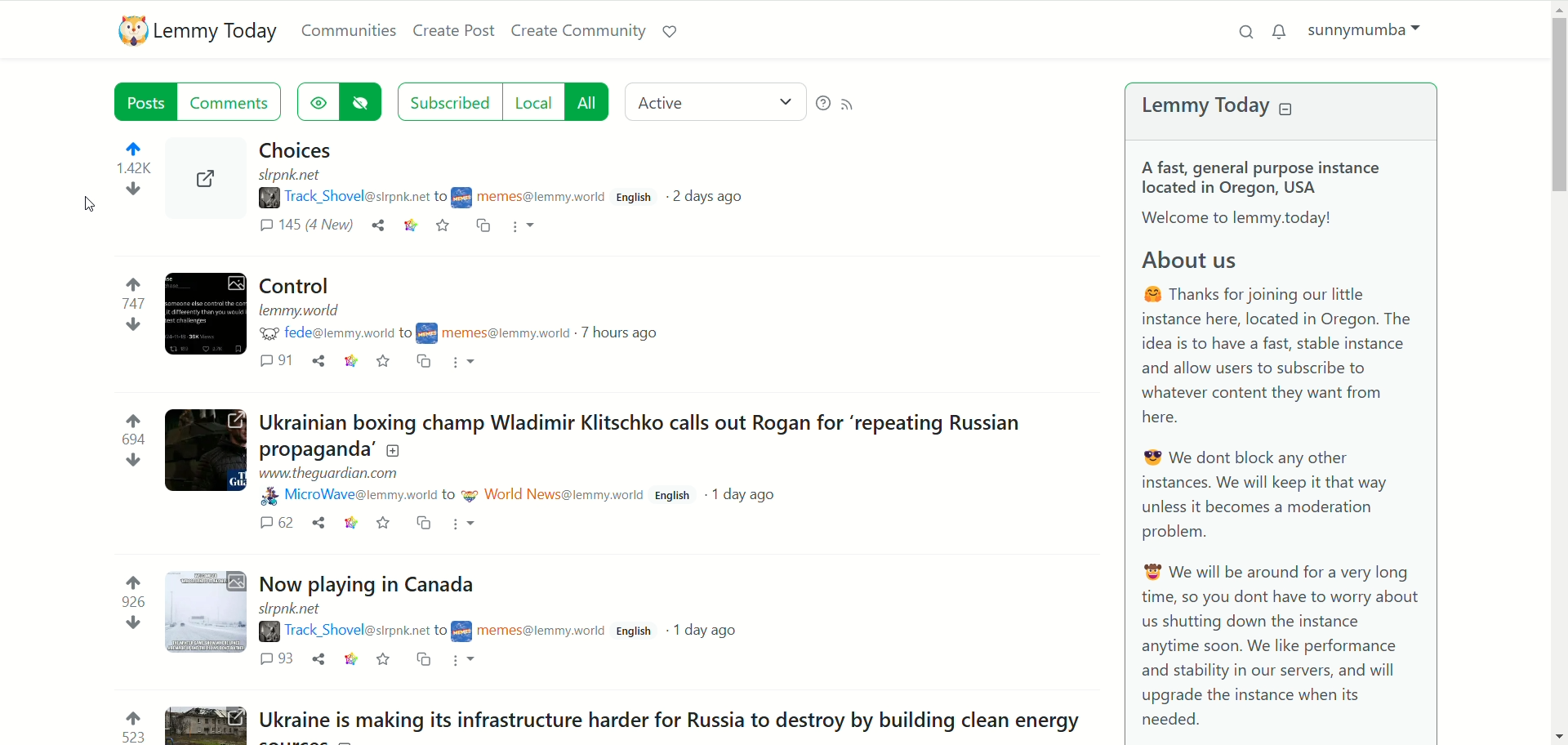 The image size is (1568, 745). I want to click on share, so click(317, 362).